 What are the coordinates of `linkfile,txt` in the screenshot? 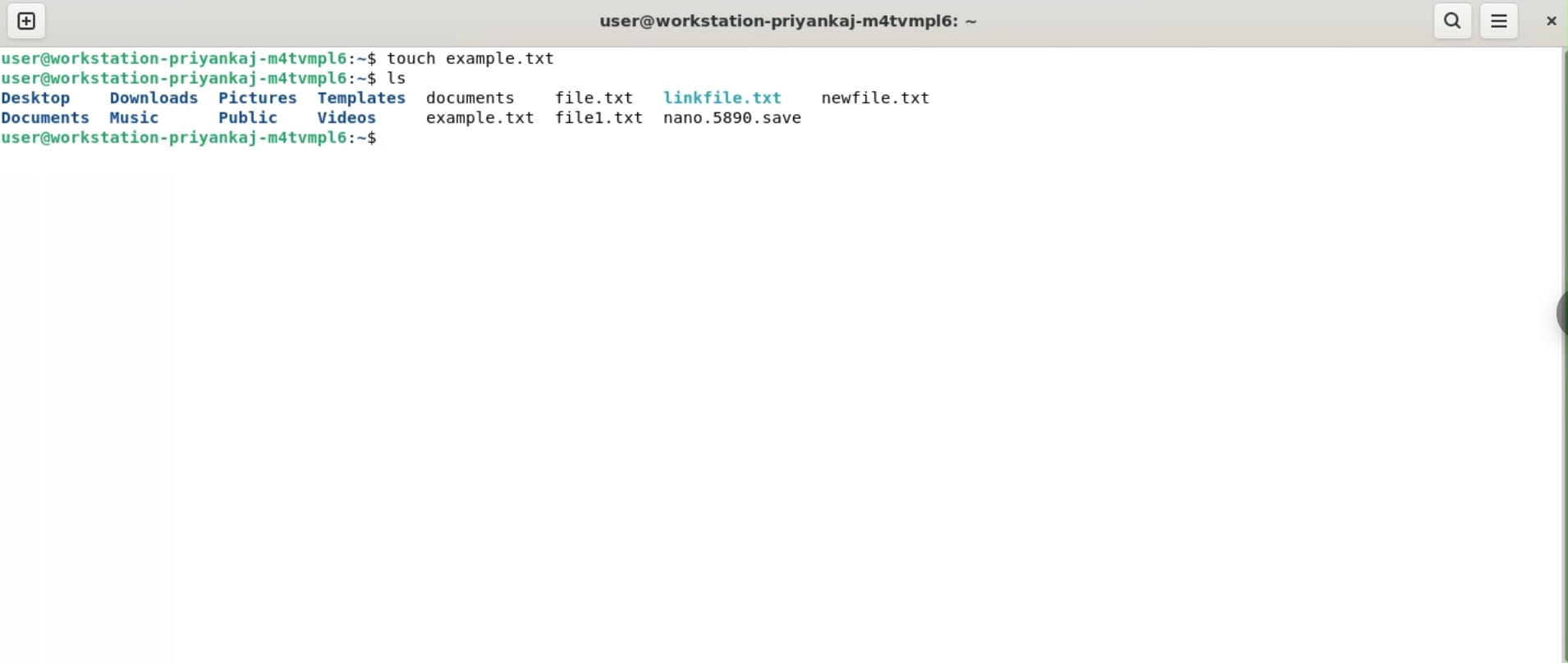 It's located at (724, 98).